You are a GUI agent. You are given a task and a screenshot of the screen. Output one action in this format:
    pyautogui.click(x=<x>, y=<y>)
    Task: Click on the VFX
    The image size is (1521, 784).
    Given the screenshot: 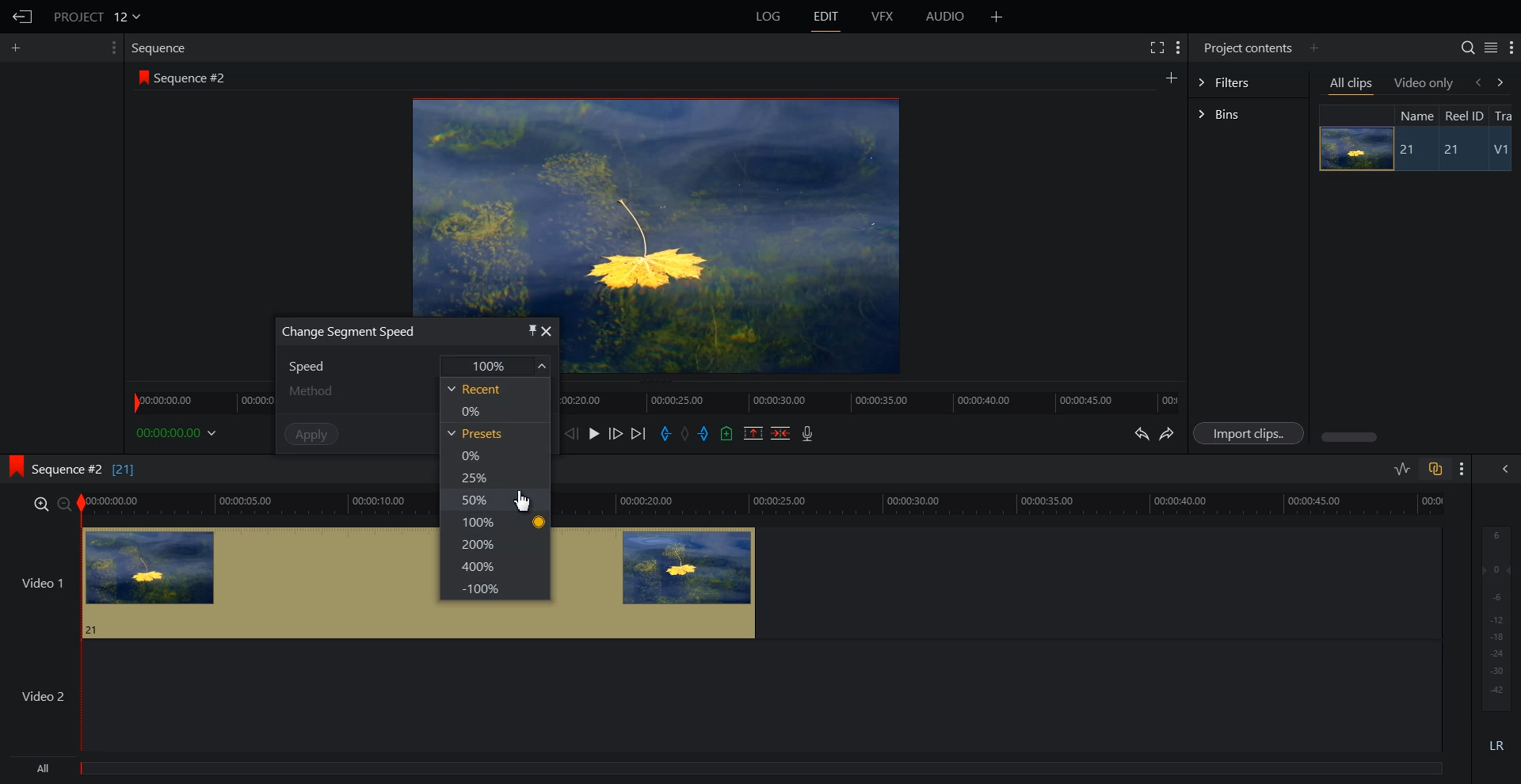 What is the action you would take?
    pyautogui.click(x=883, y=17)
    